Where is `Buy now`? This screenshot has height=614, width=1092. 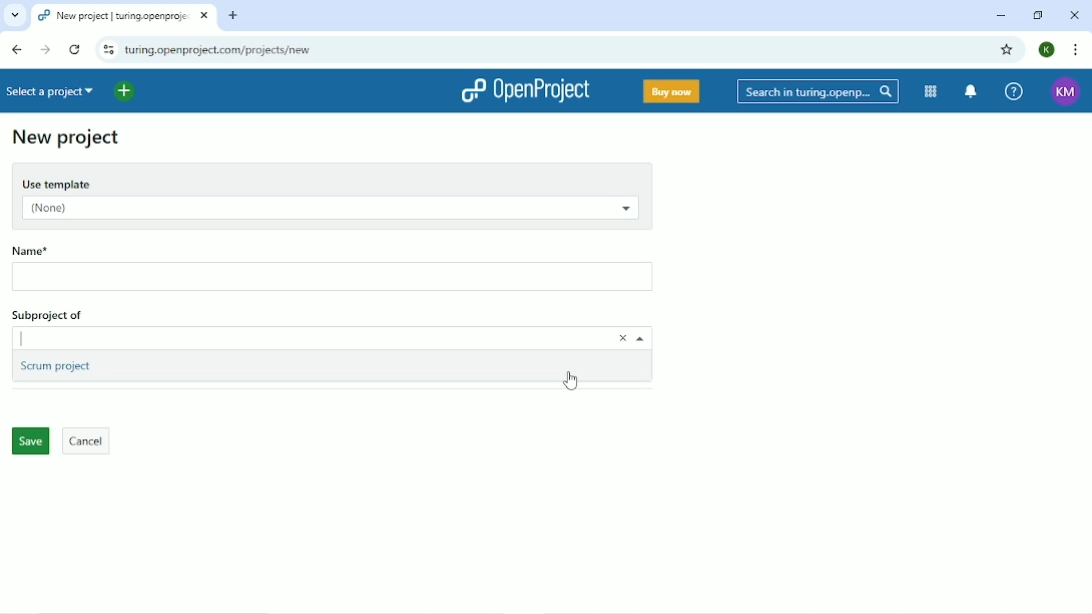
Buy now is located at coordinates (670, 93).